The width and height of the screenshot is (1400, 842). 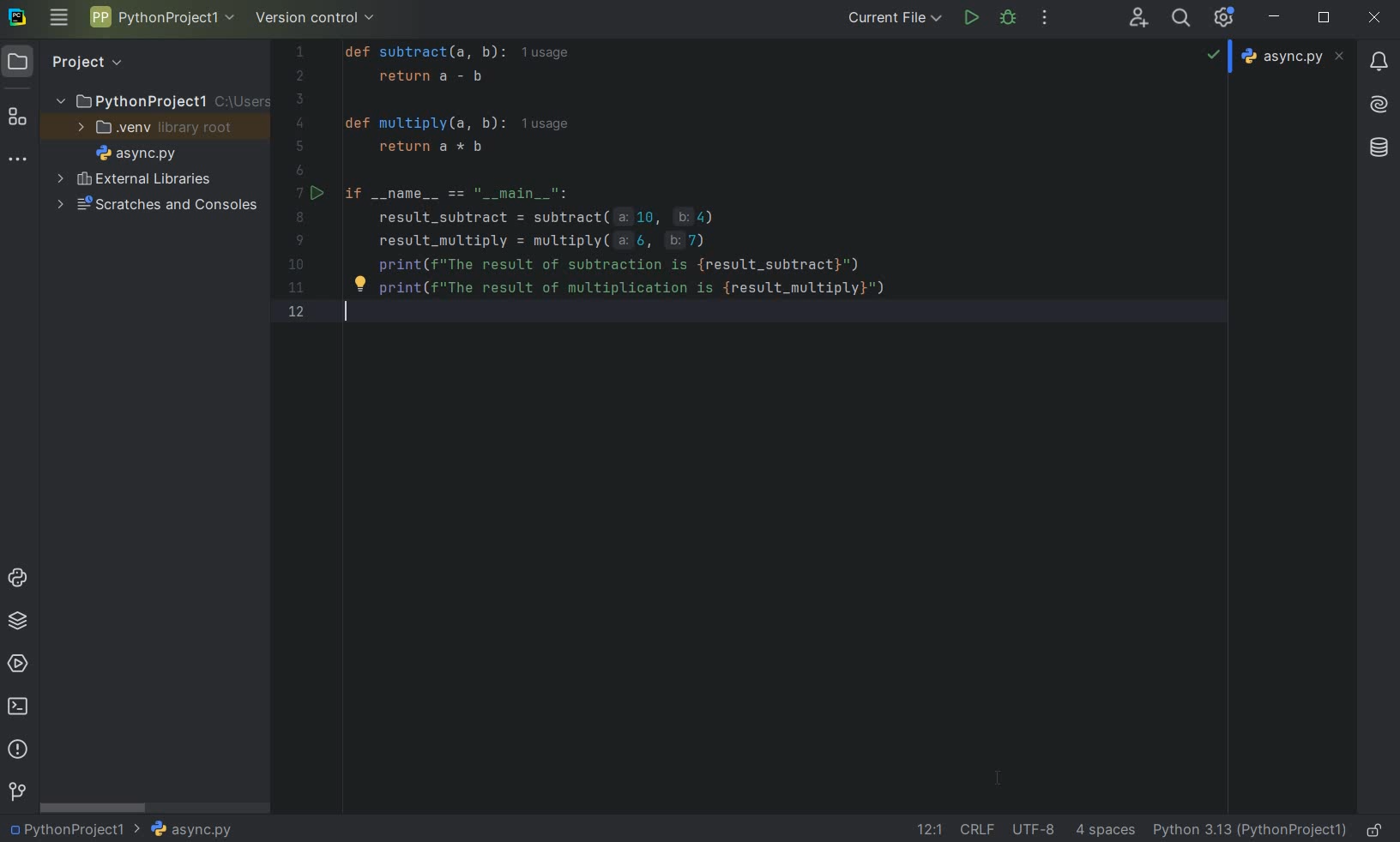 I want to click on project icon, so click(x=18, y=60).